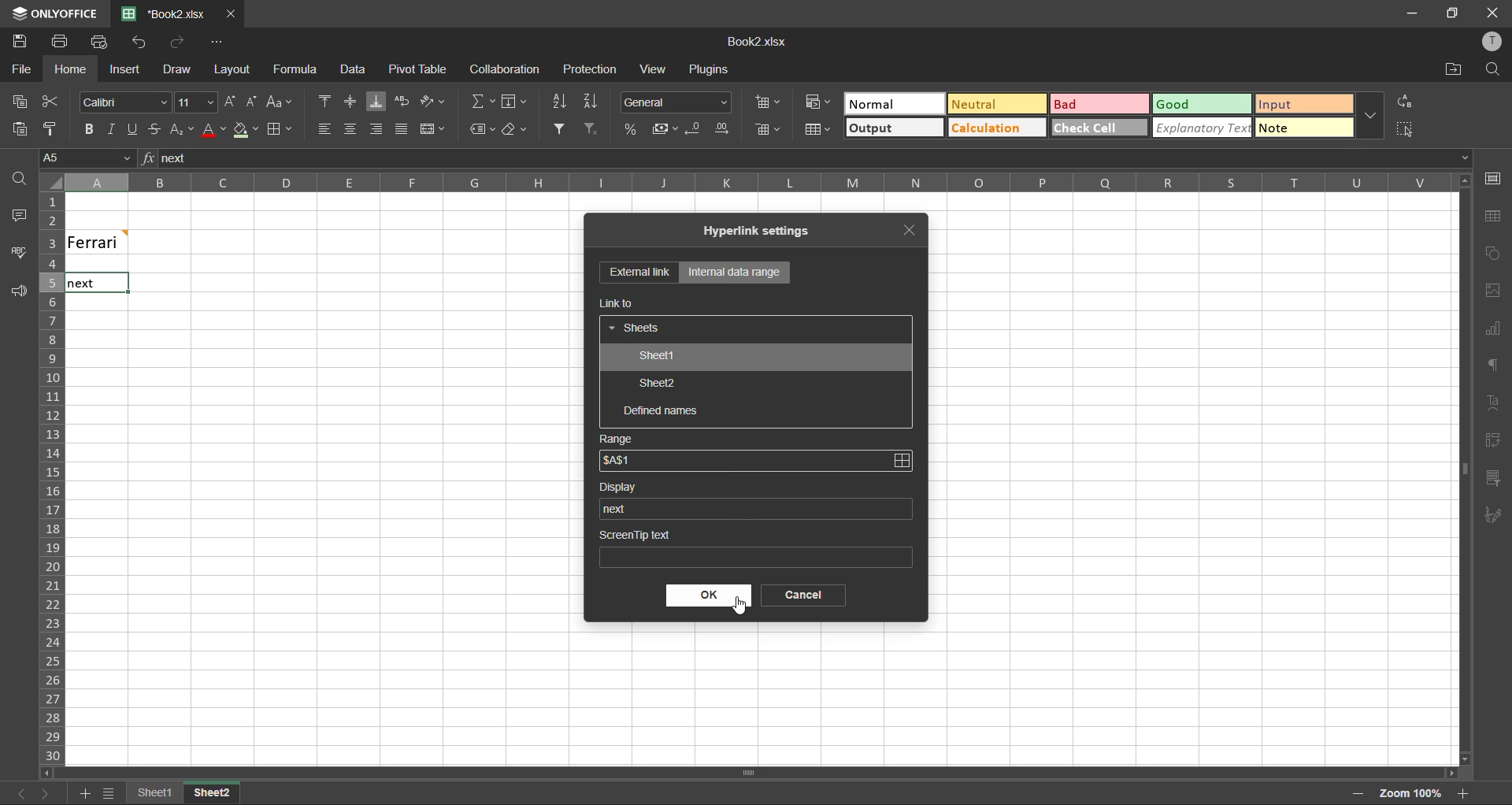  I want to click on signature, so click(1490, 518).